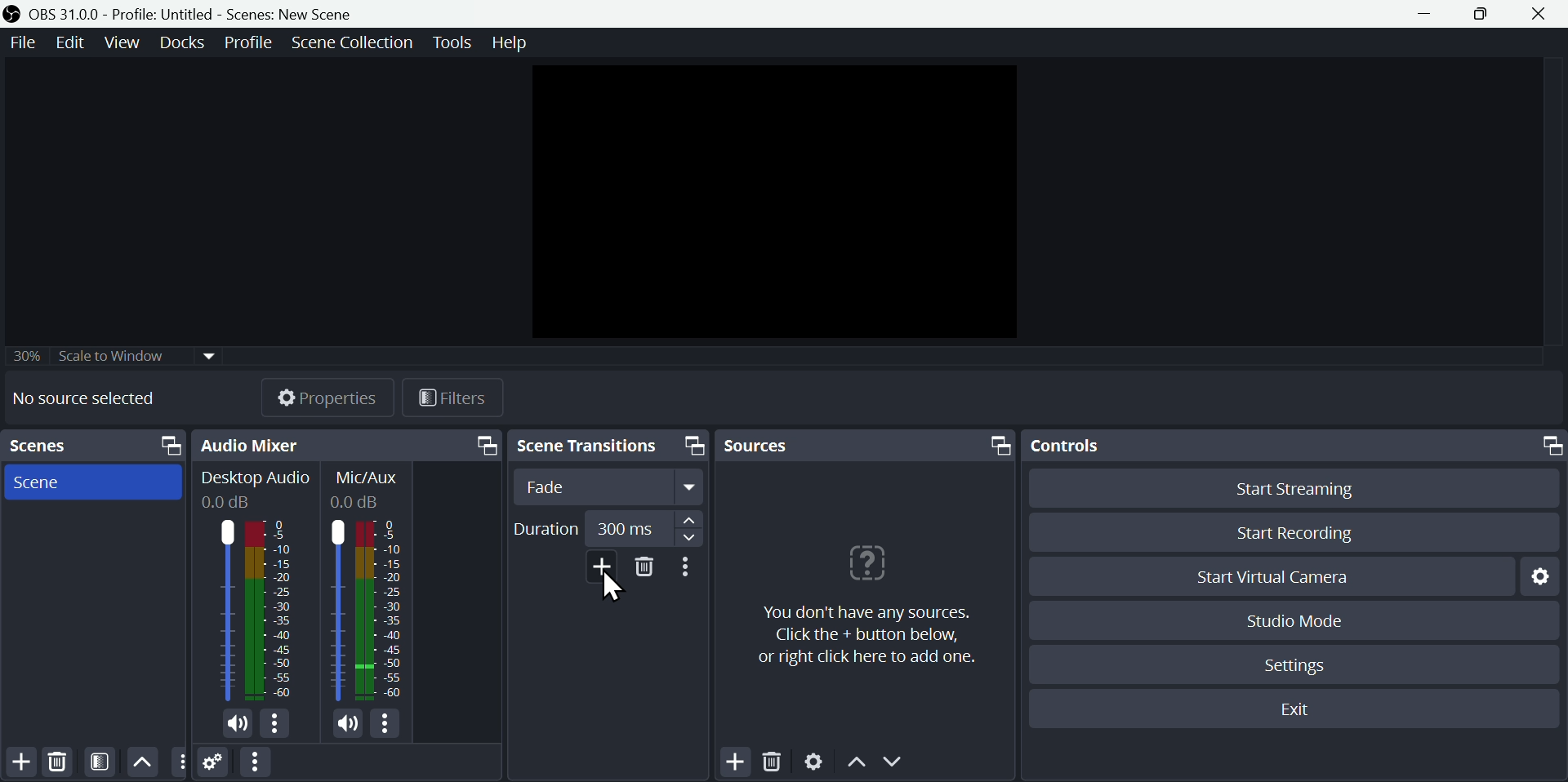 The height and width of the screenshot is (782, 1568). Describe the element at coordinates (180, 762) in the screenshot. I see `more option` at that location.